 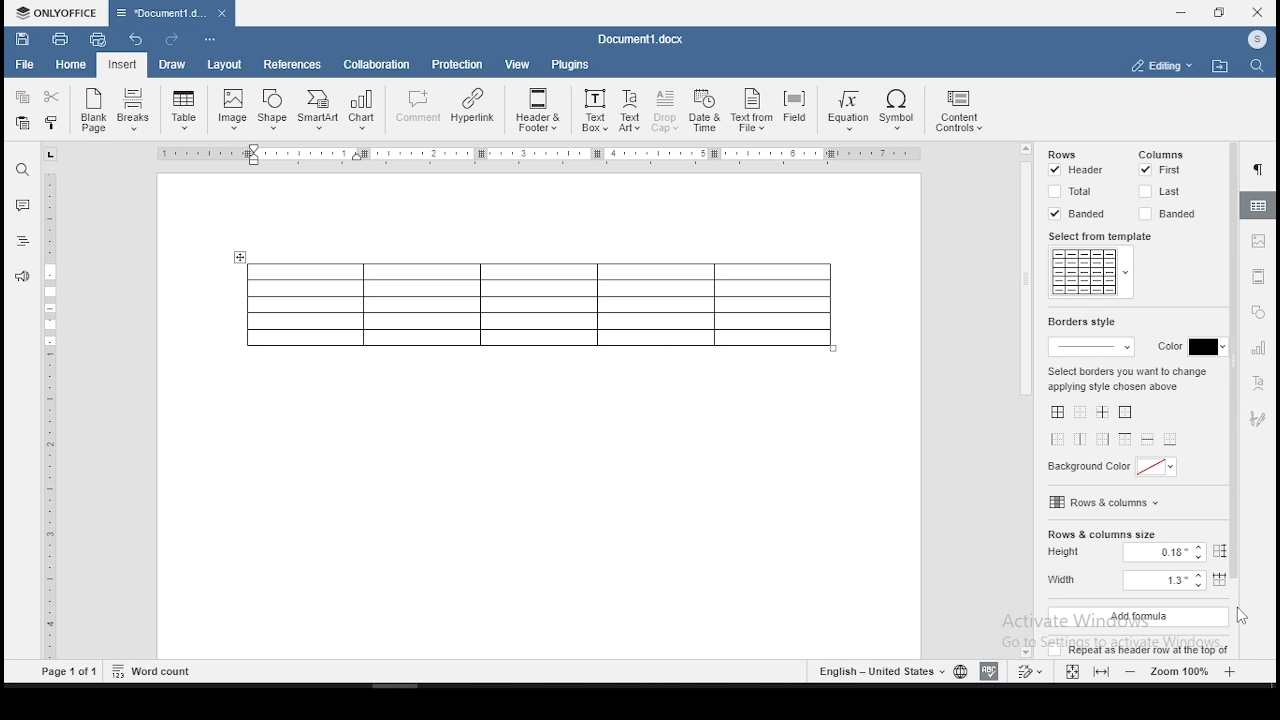 What do you see at coordinates (519, 64) in the screenshot?
I see `view` at bounding box center [519, 64].